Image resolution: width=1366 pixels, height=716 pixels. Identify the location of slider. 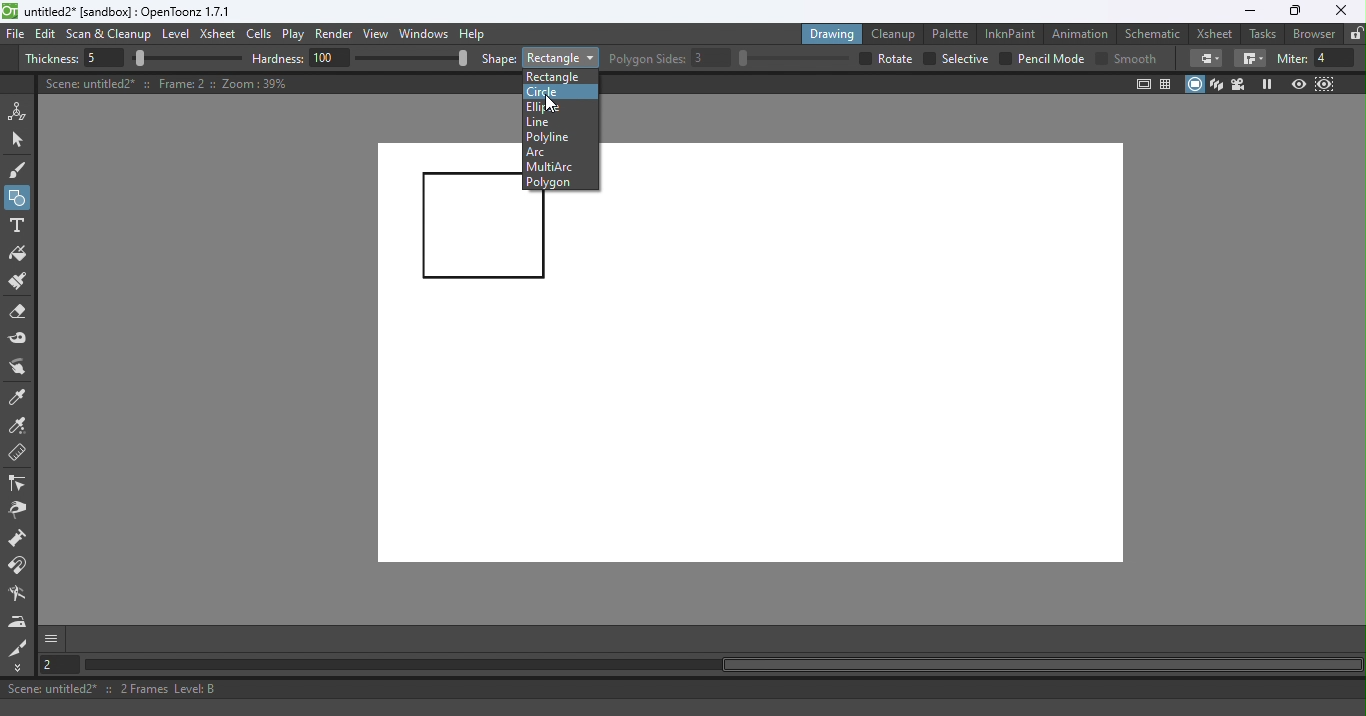
(187, 59).